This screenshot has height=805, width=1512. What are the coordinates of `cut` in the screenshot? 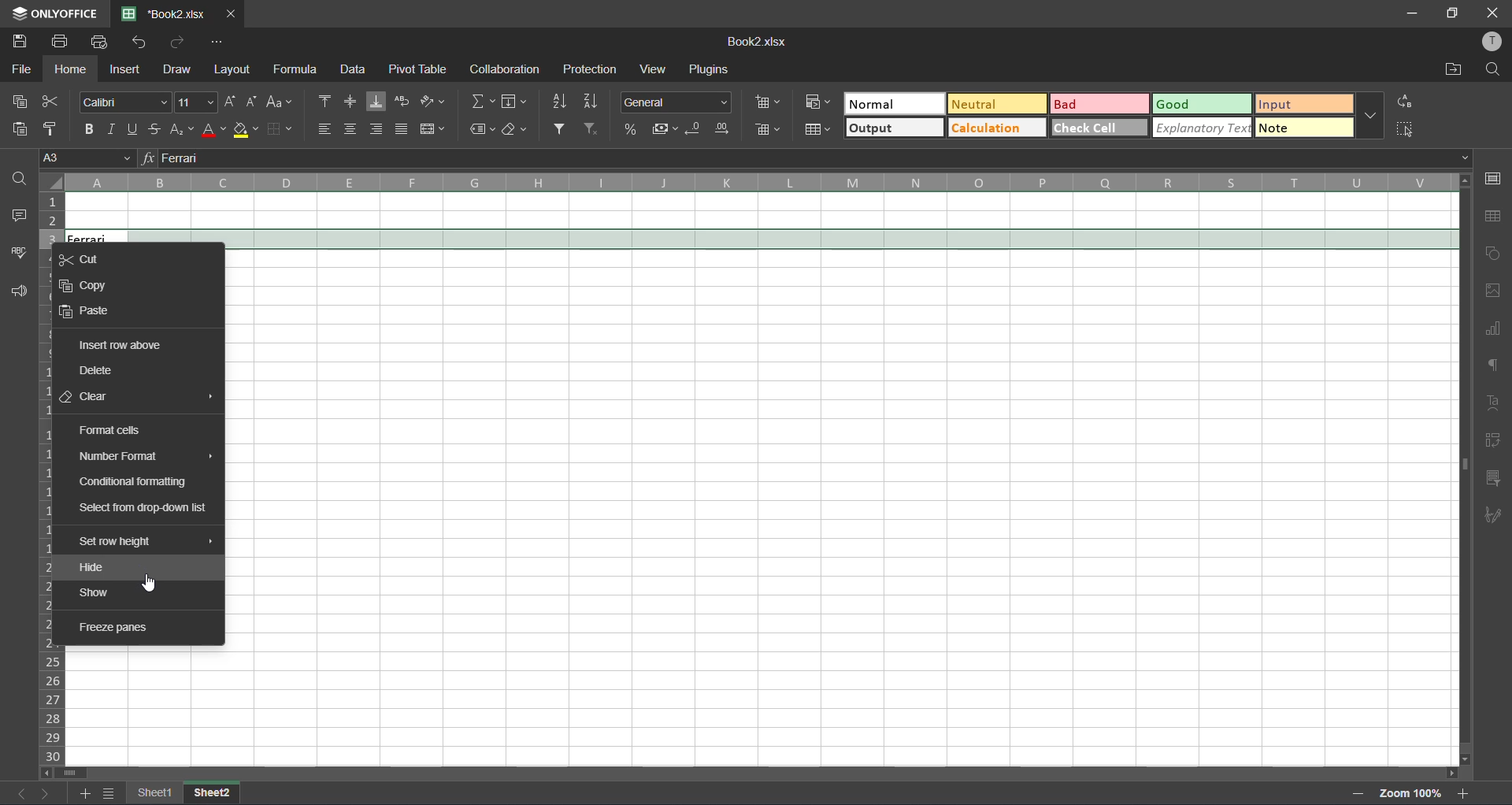 It's located at (50, 102).